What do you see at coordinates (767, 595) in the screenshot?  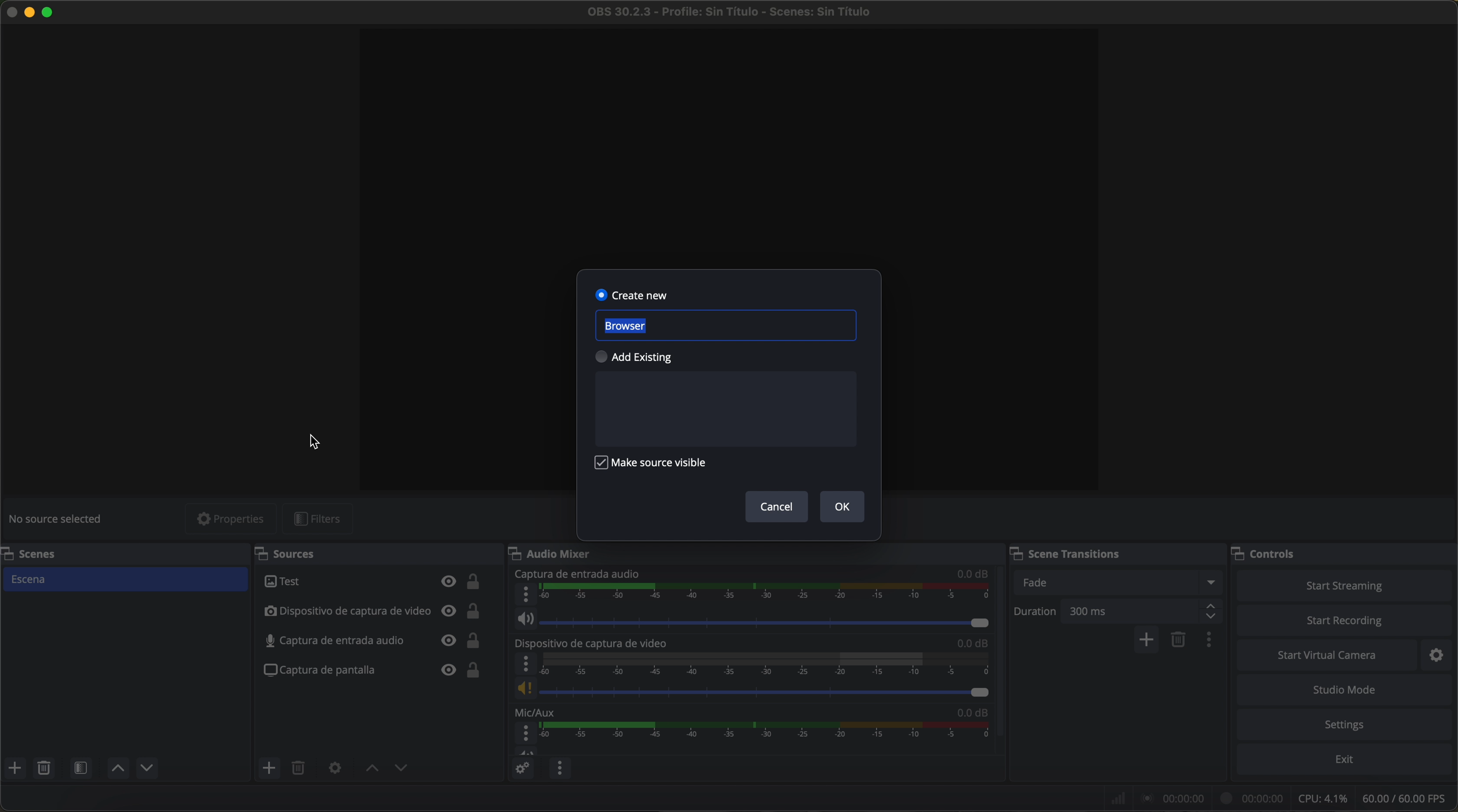 I see `timeline` at bounding box center [767, 595].